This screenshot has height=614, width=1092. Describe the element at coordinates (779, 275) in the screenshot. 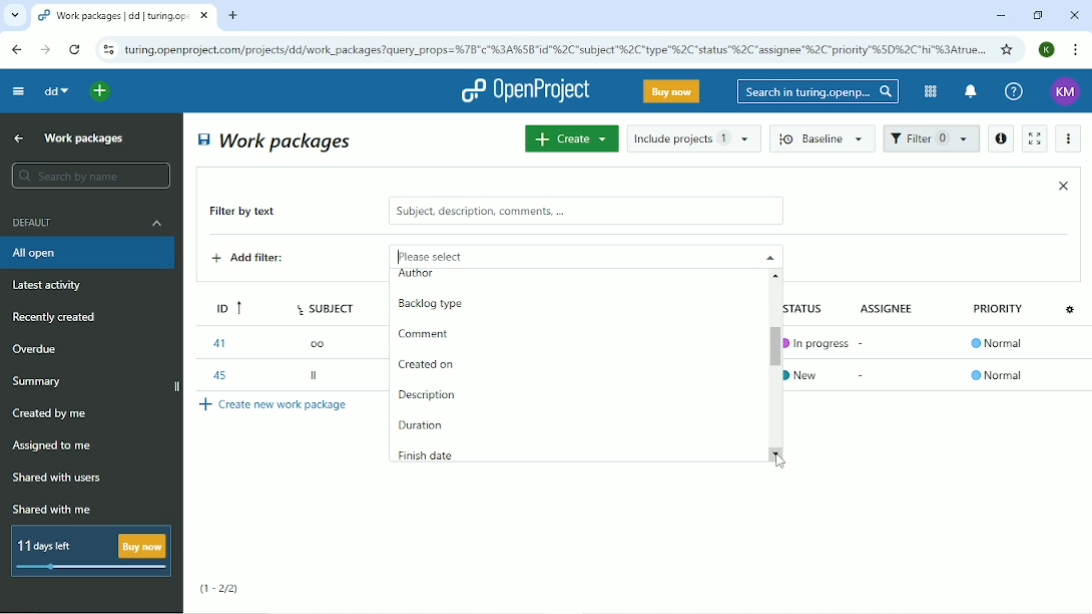

I see `scroll up` at that location.